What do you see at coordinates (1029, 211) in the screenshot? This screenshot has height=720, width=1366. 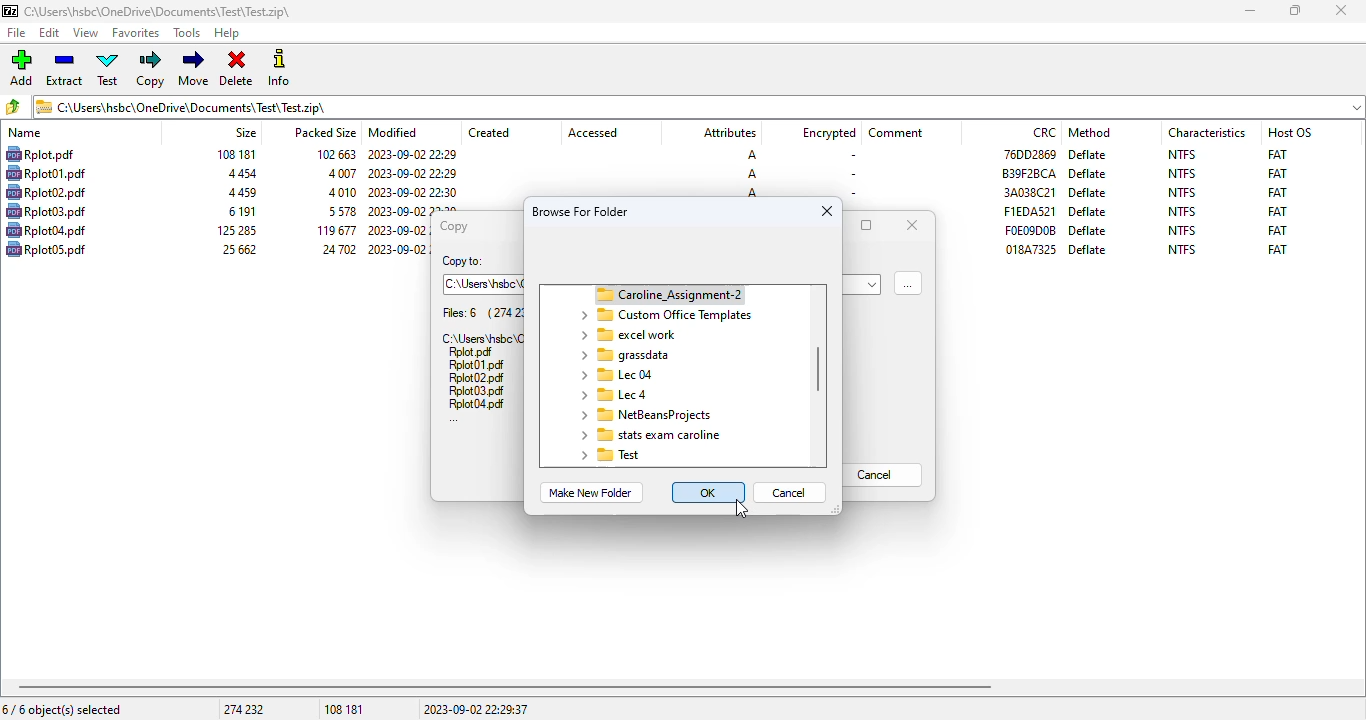 I see `CRC` at bounding box center [1029, 211].